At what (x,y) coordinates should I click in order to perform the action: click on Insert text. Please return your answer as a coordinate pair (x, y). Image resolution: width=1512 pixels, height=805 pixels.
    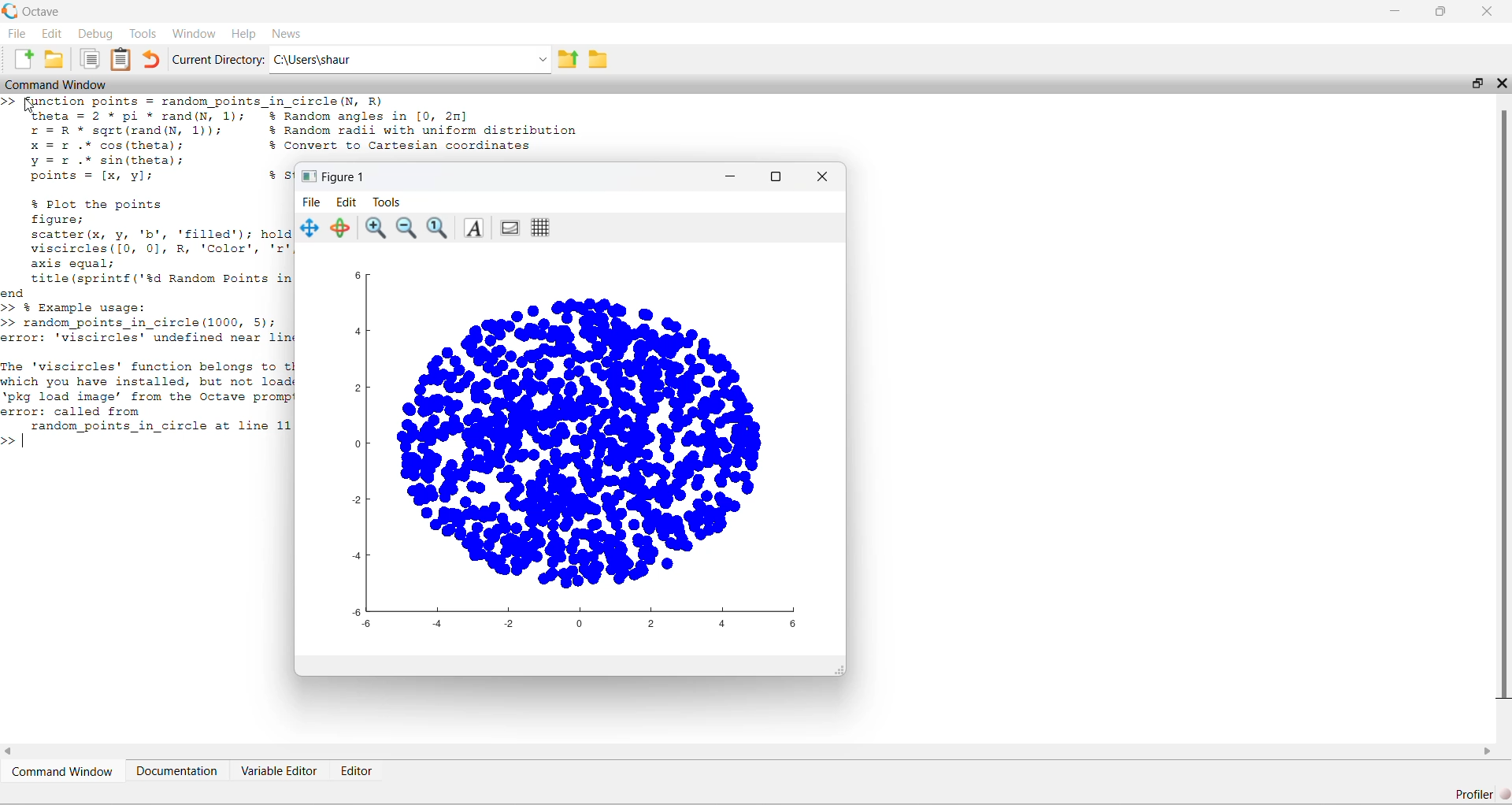
    Looking at the image, I should click on (473, 228).